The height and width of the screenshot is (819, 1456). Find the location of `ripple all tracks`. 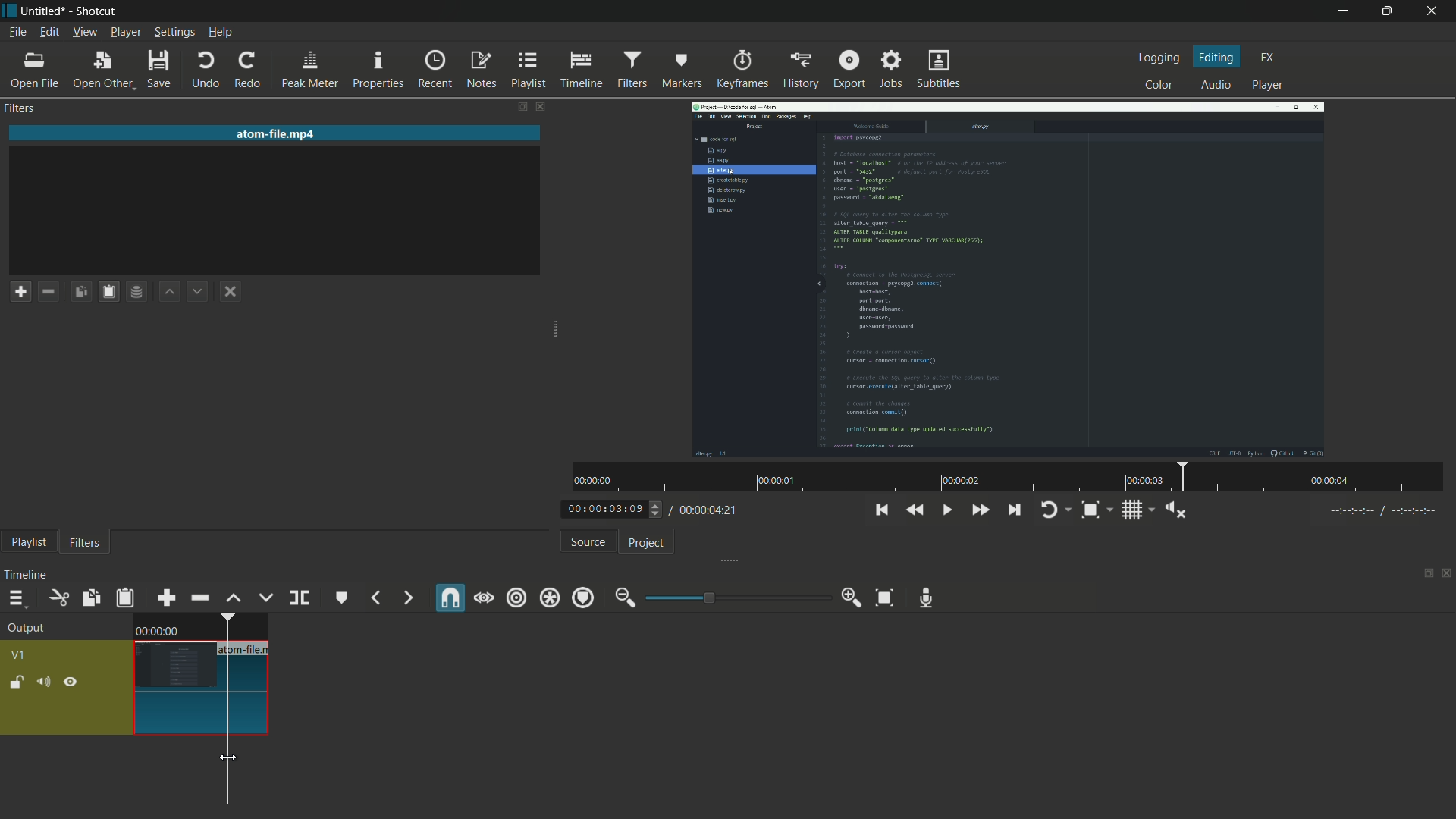

ripple all tracks is located at coordinates (549, 598).